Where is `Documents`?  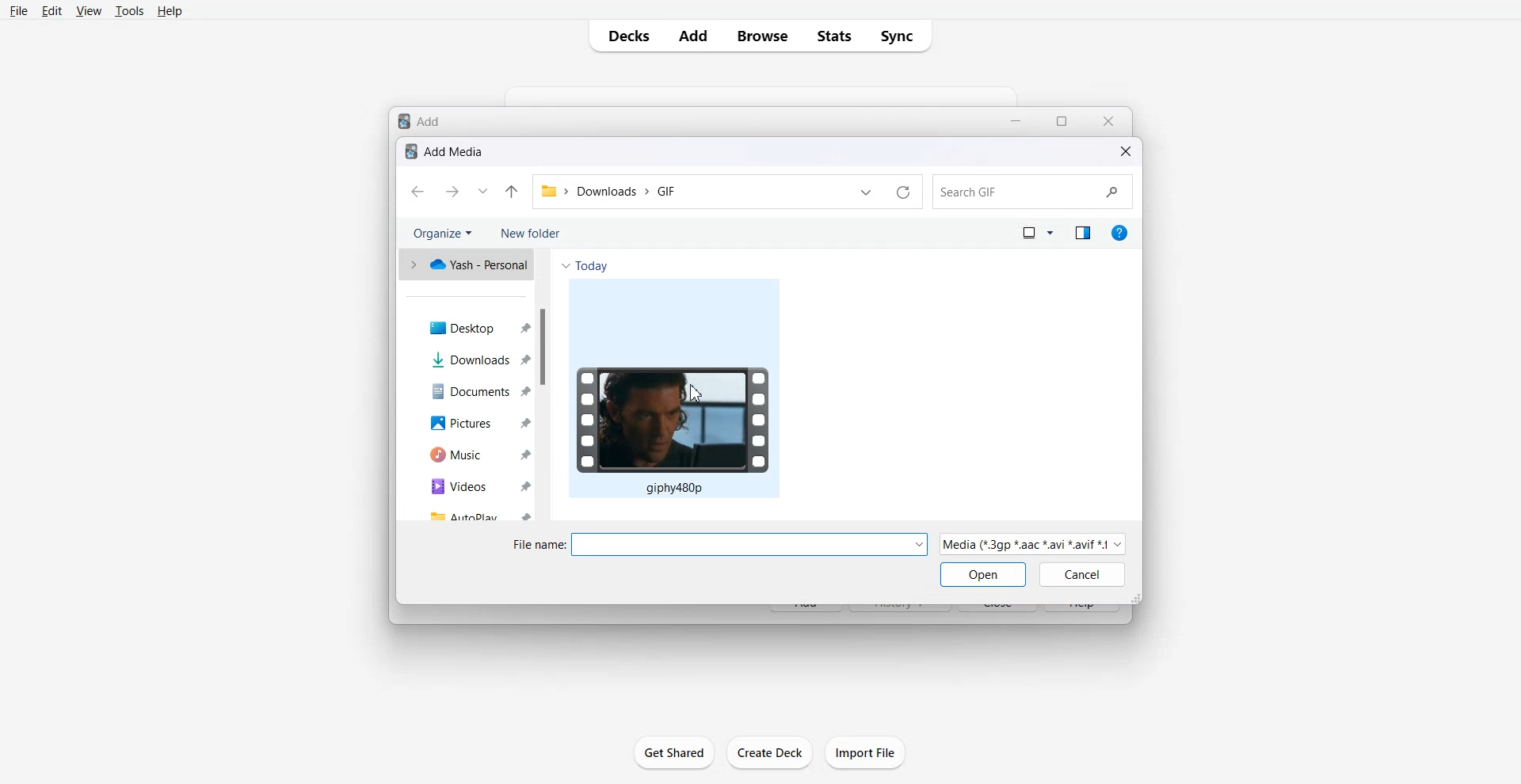
Documents is located at coordinates (471, 392).